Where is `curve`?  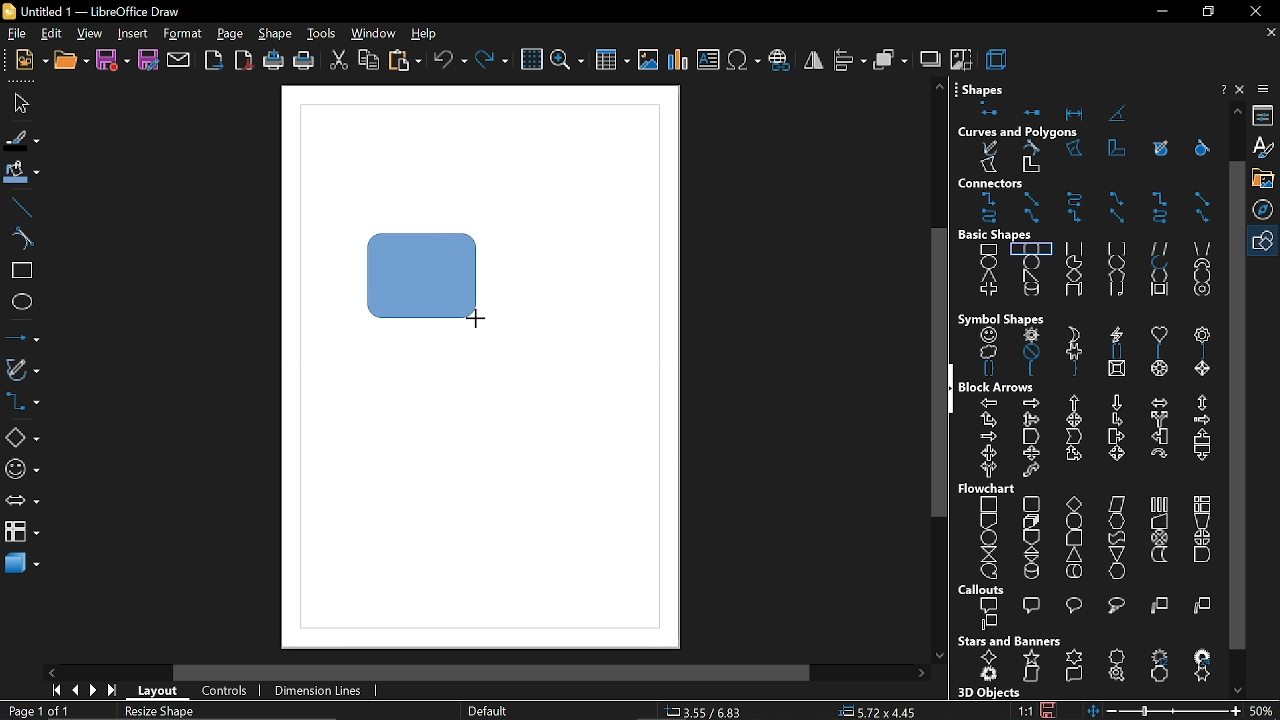 curve is located at coordinates (22, 240).